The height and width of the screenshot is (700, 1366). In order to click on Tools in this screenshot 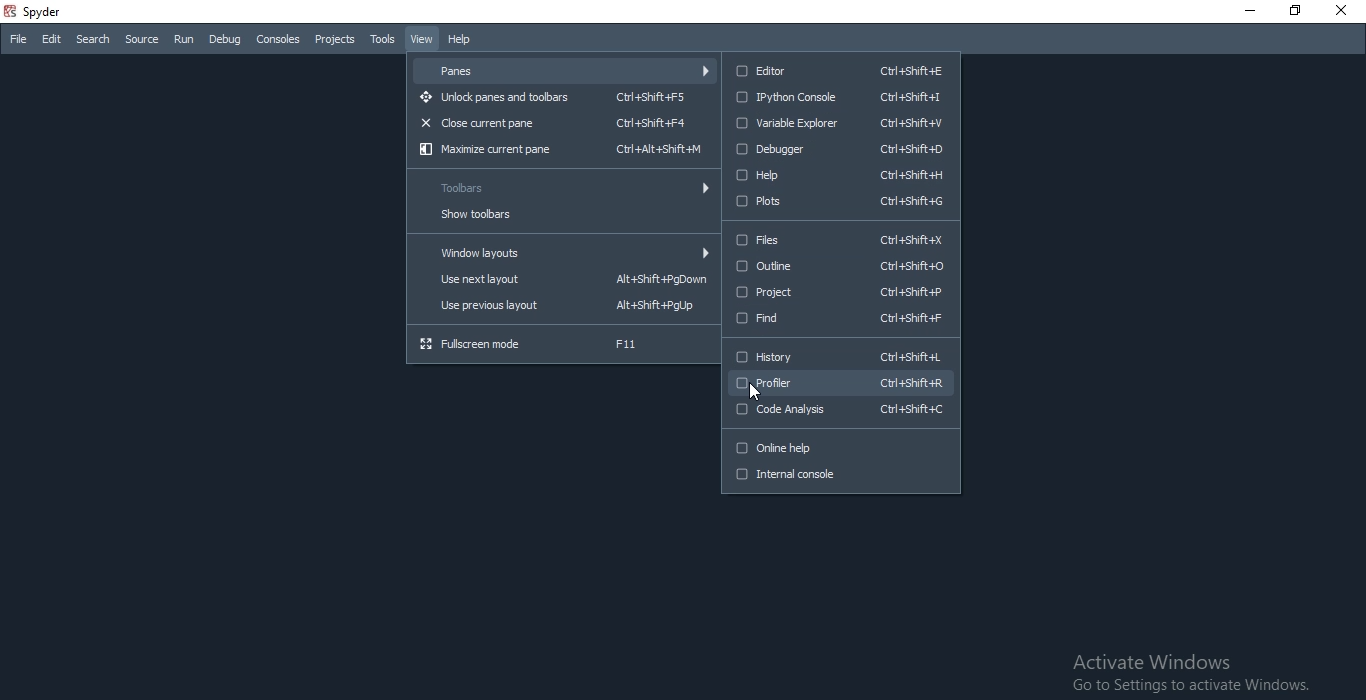, I will do `click(384, 38)`.